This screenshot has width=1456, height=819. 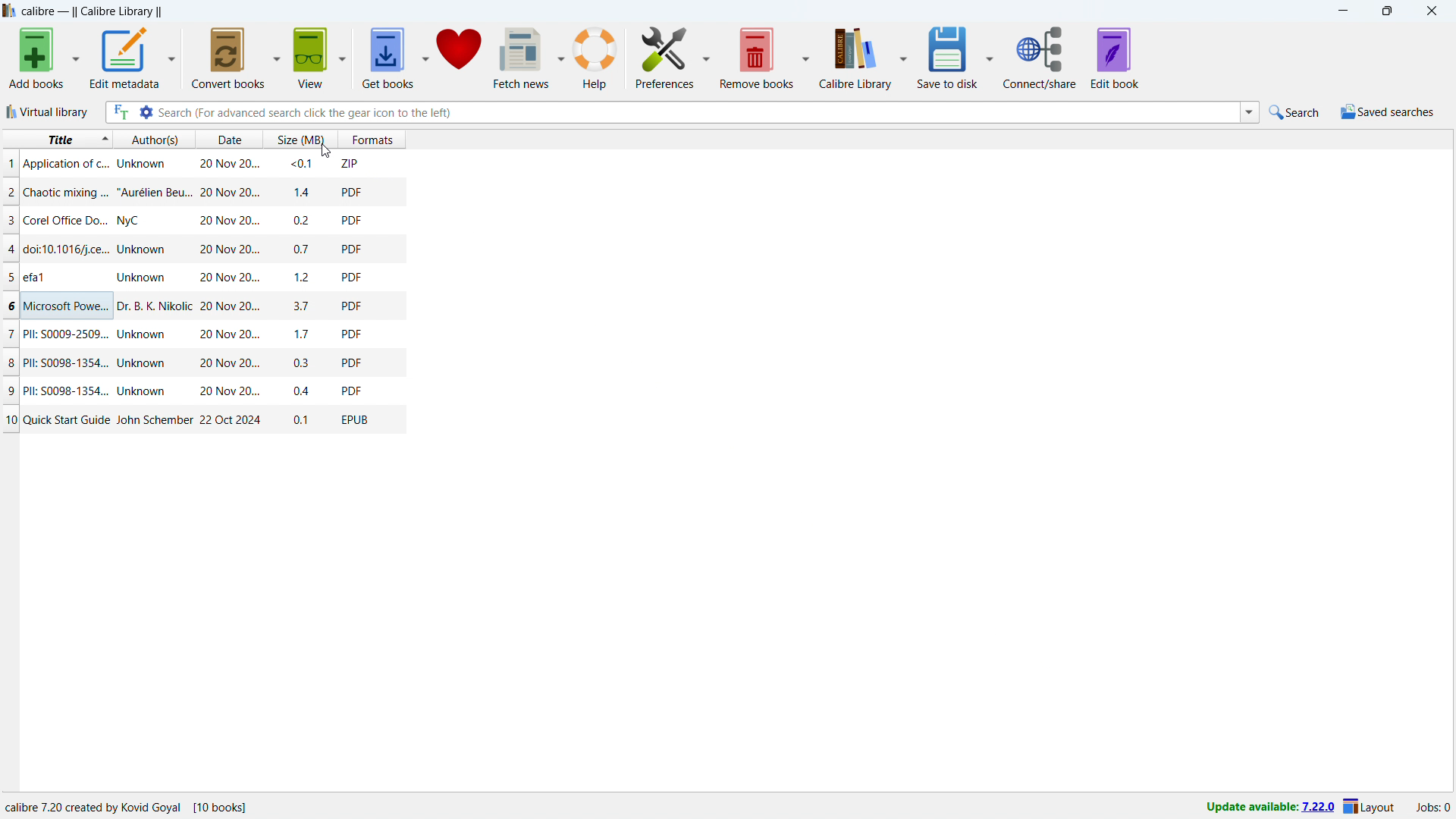 I want to click on PDF, so click(x=353, y=248).